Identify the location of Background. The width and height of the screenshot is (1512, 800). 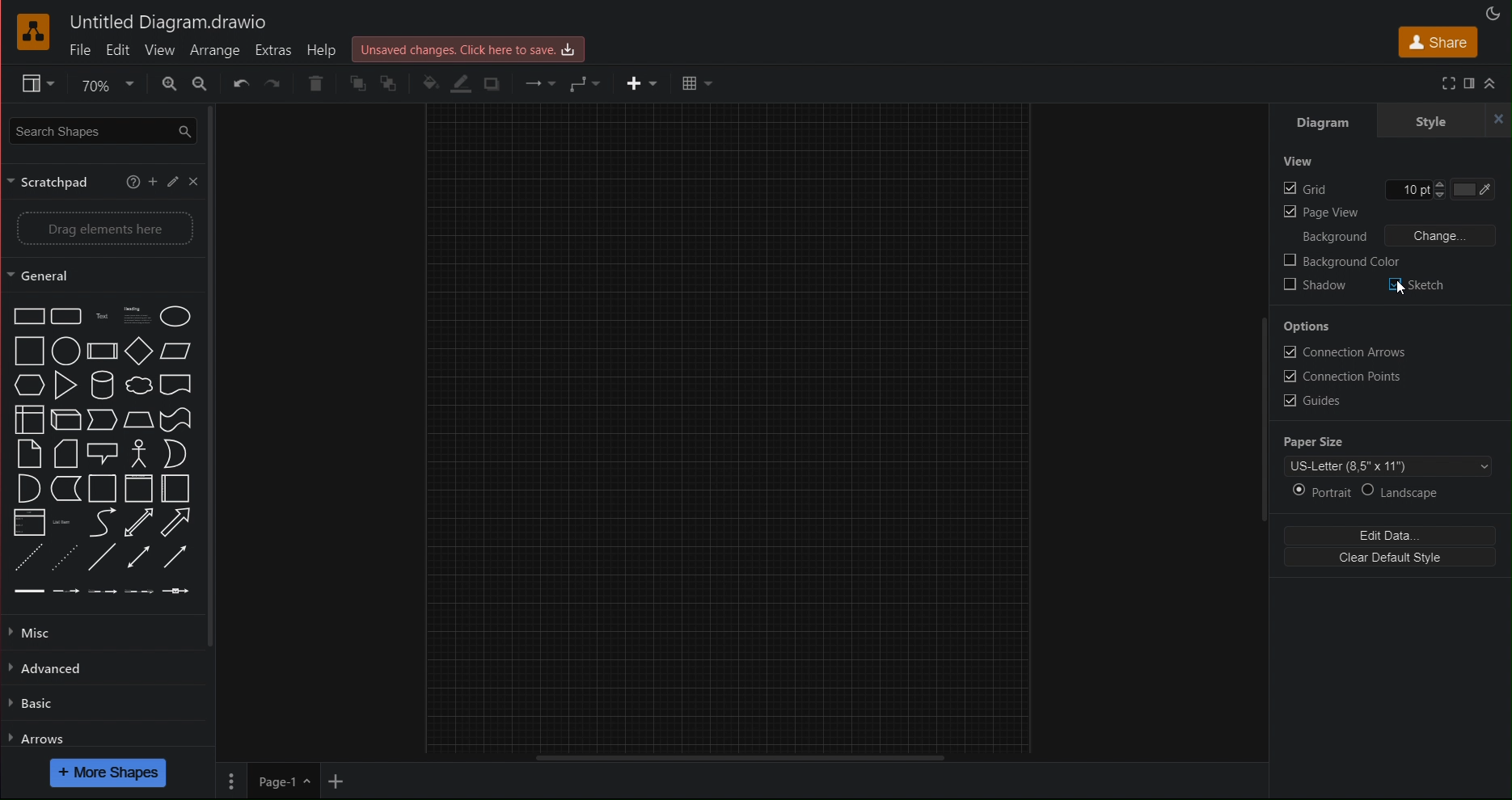
(1334, 237).